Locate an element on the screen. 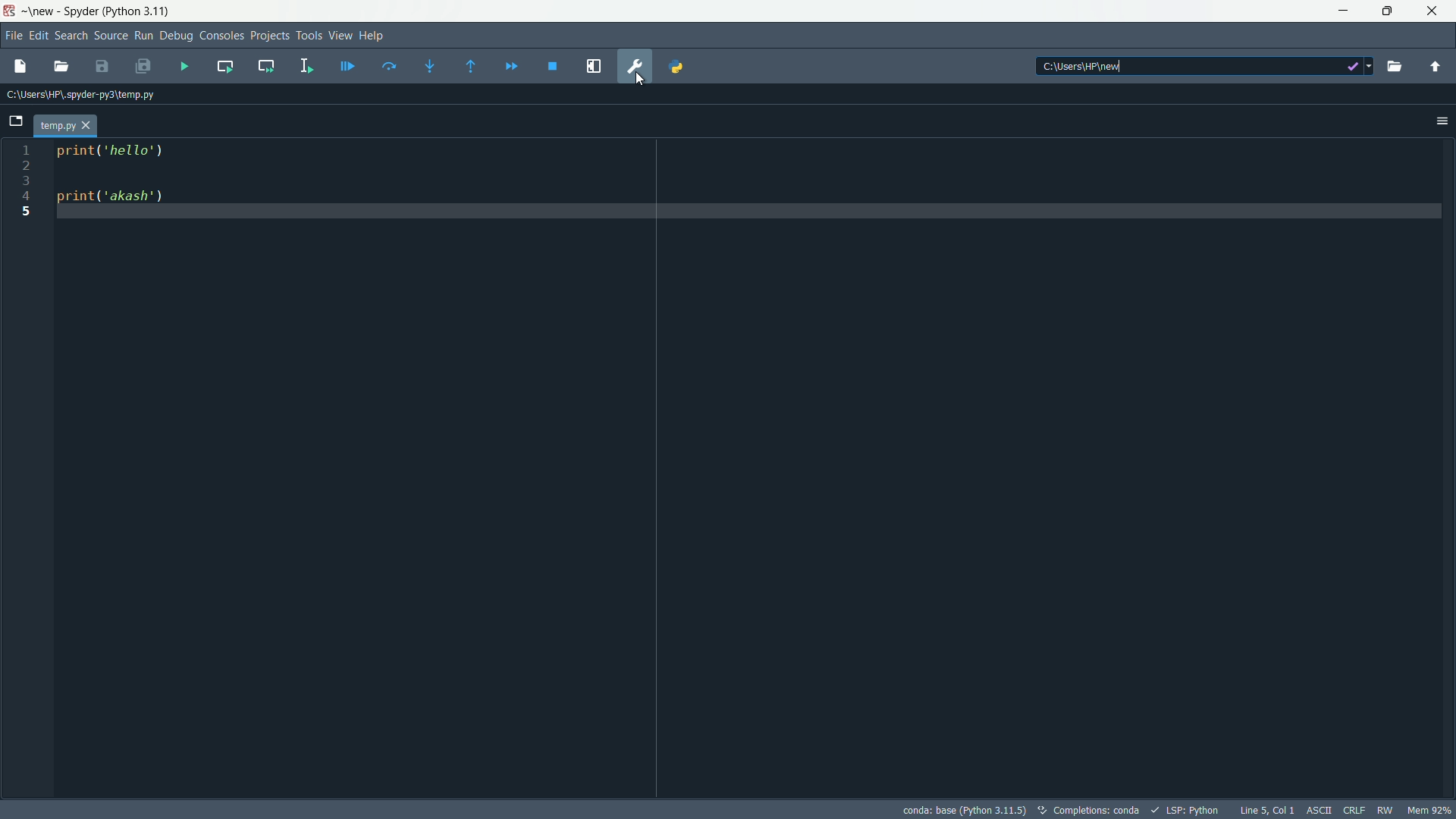 This screenshot has width=1456, height=819. C:\Users\HP\spyder-py3\temp.py is located at coordinates (81, 96).